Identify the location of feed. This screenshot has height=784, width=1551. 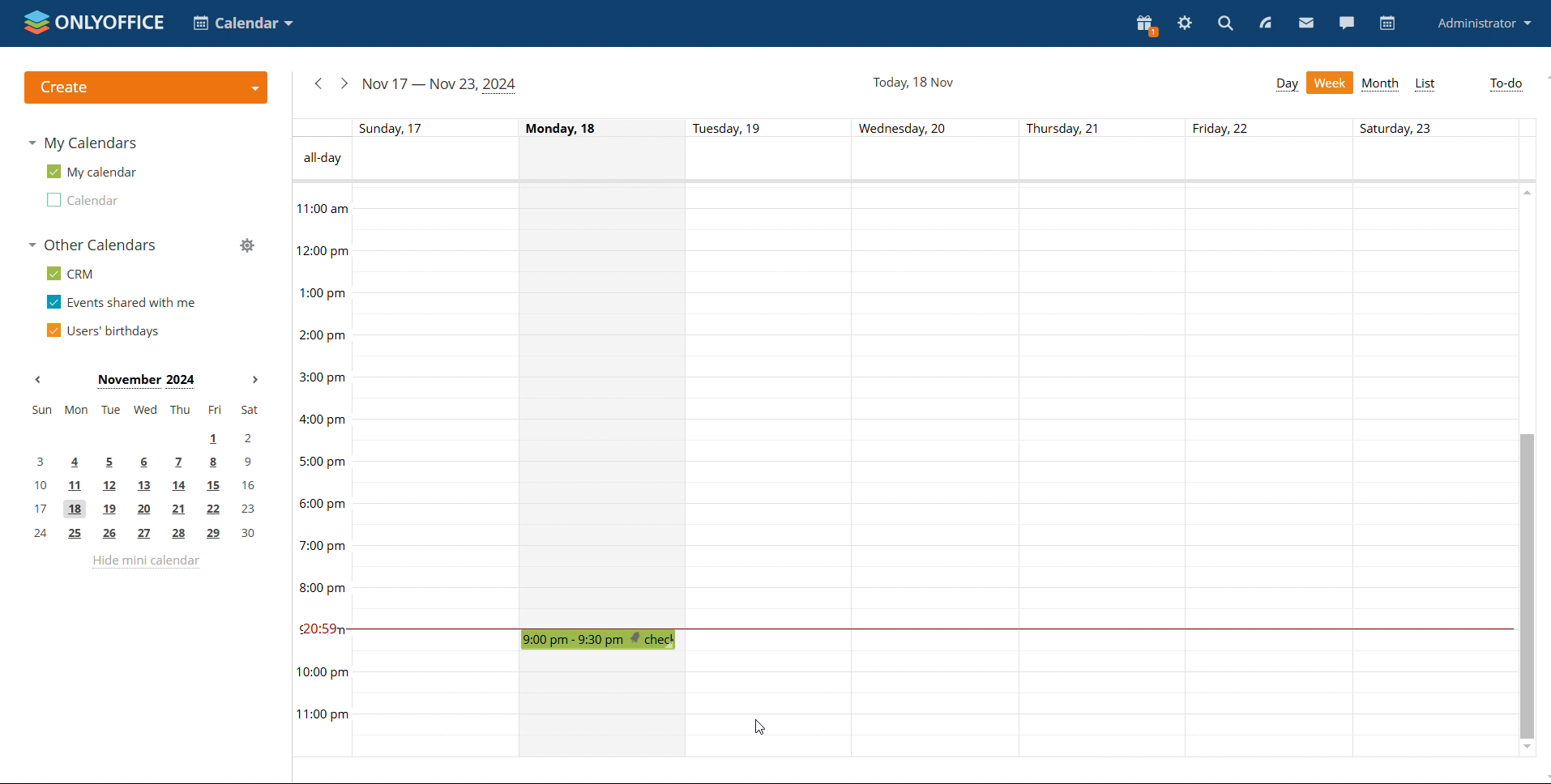
(1265, 22).